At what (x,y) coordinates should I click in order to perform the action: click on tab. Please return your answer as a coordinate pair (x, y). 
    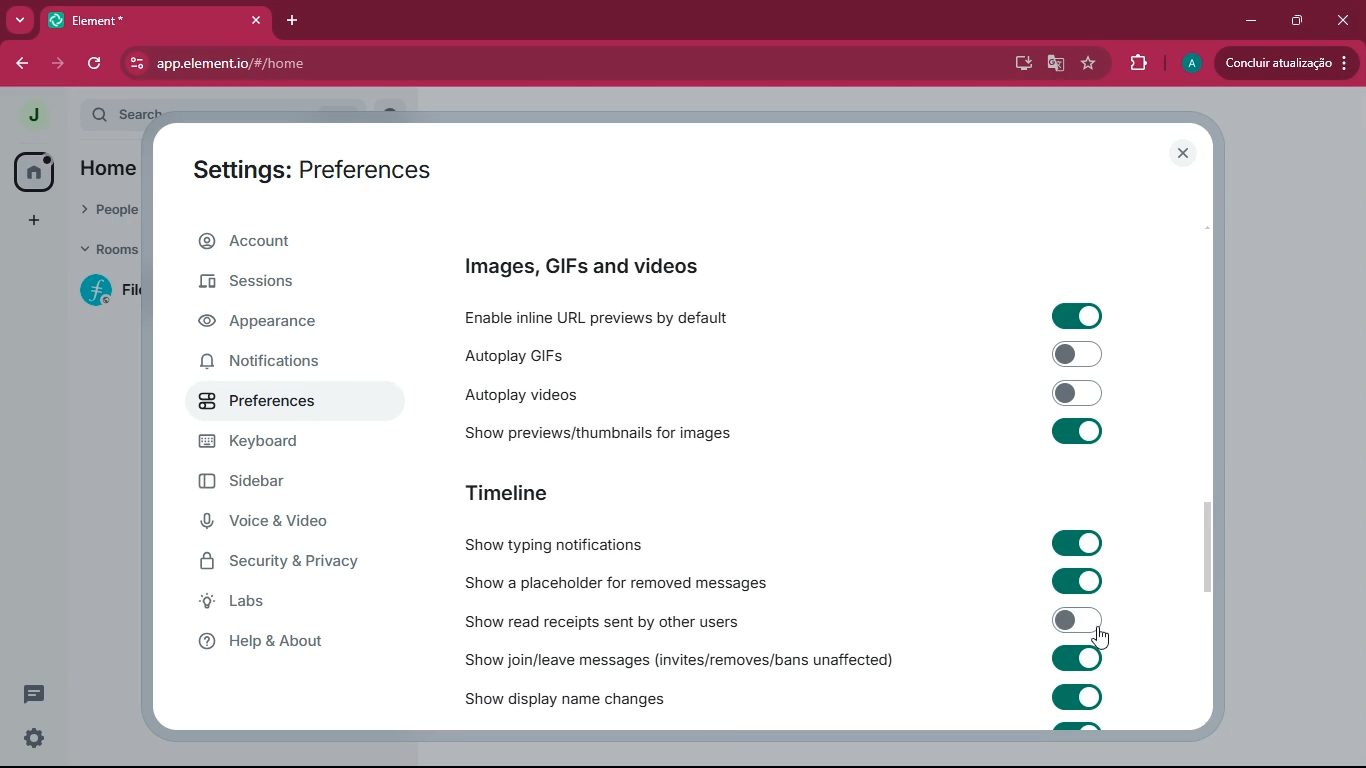
    Looking at the image, I should click on (128, 20).